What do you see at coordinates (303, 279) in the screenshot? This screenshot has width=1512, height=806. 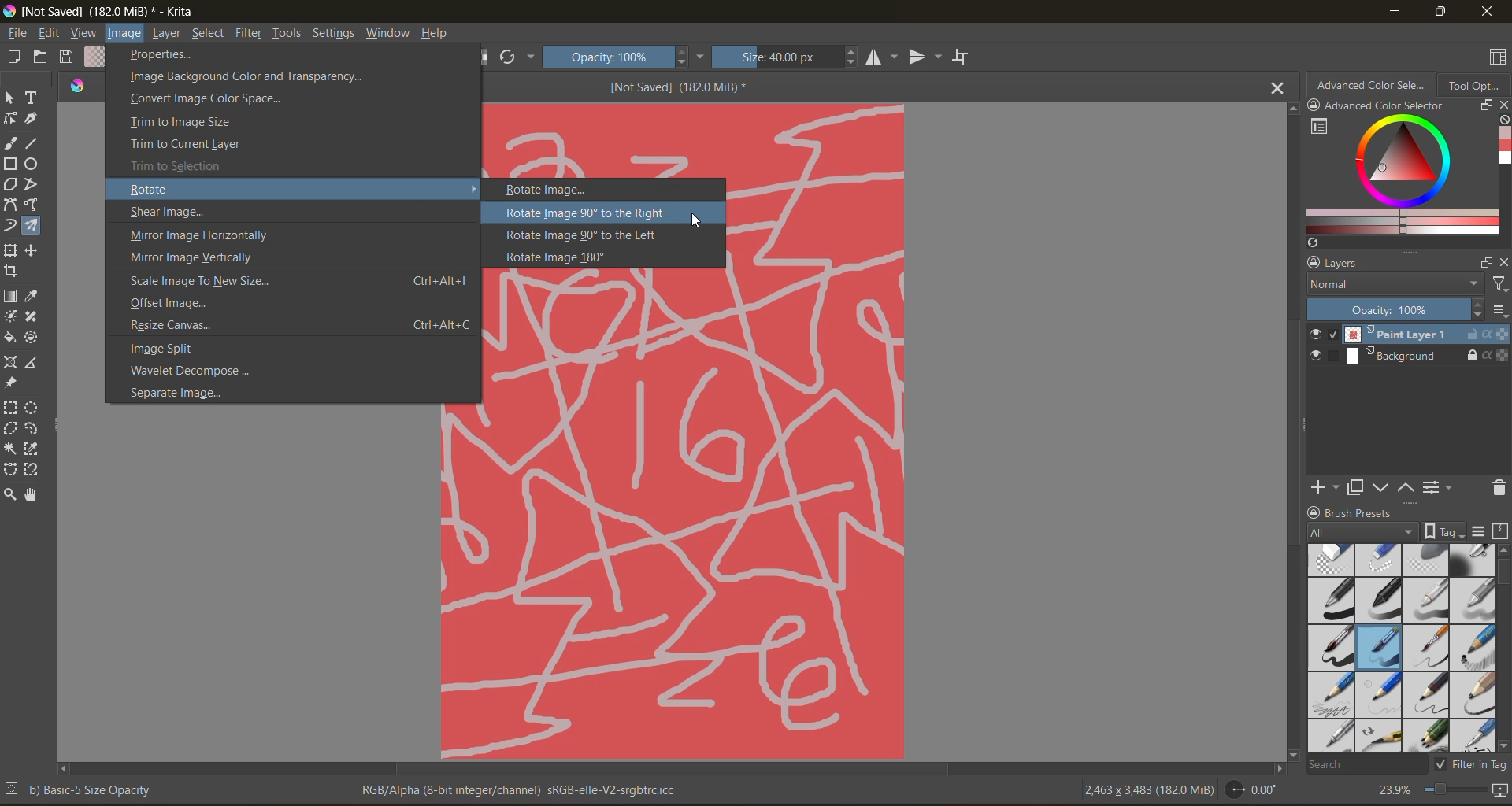 I see `scale image to new size` at bounding box center [303, 279].